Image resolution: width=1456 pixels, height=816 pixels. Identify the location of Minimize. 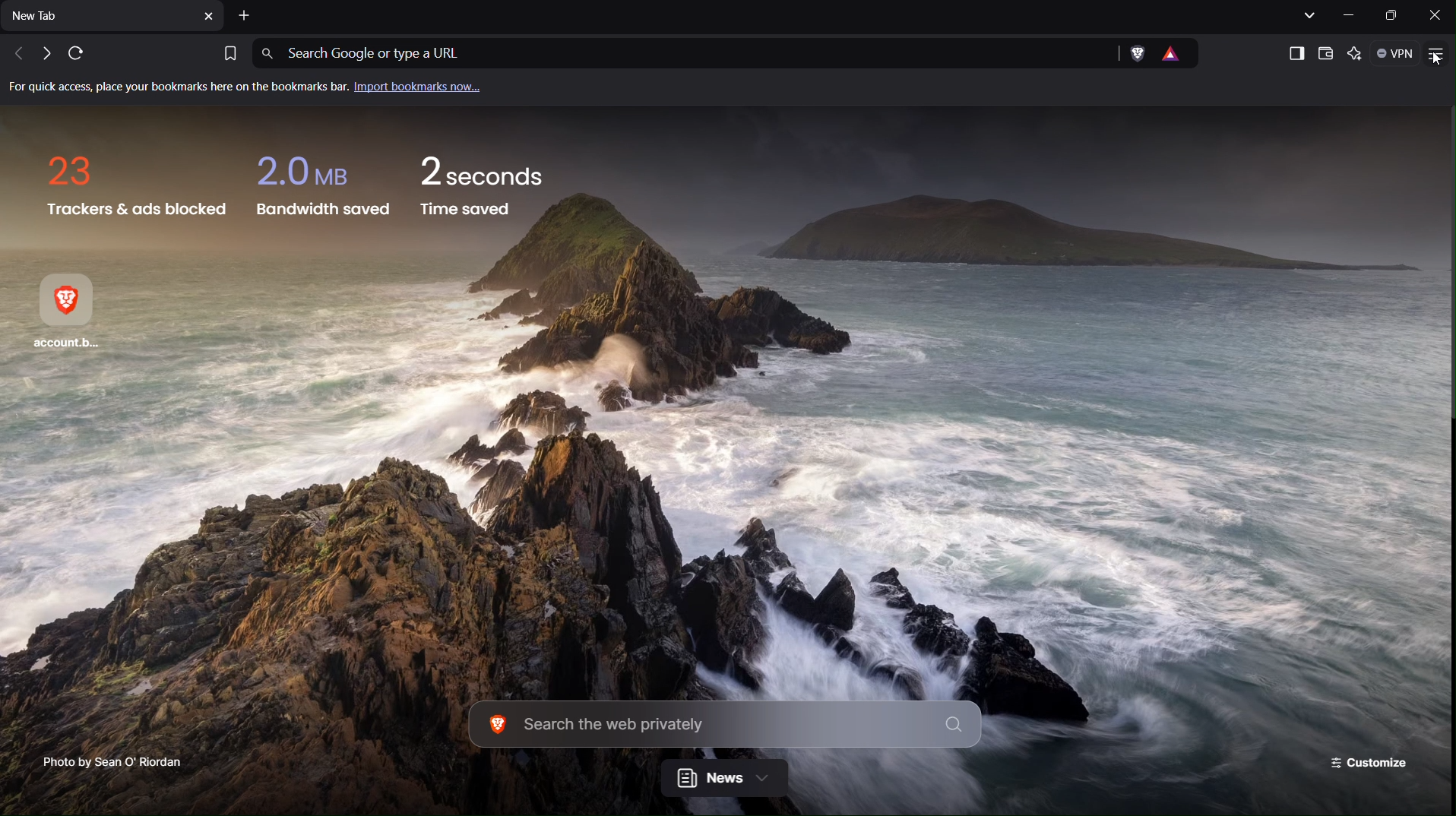
(1353, 15).